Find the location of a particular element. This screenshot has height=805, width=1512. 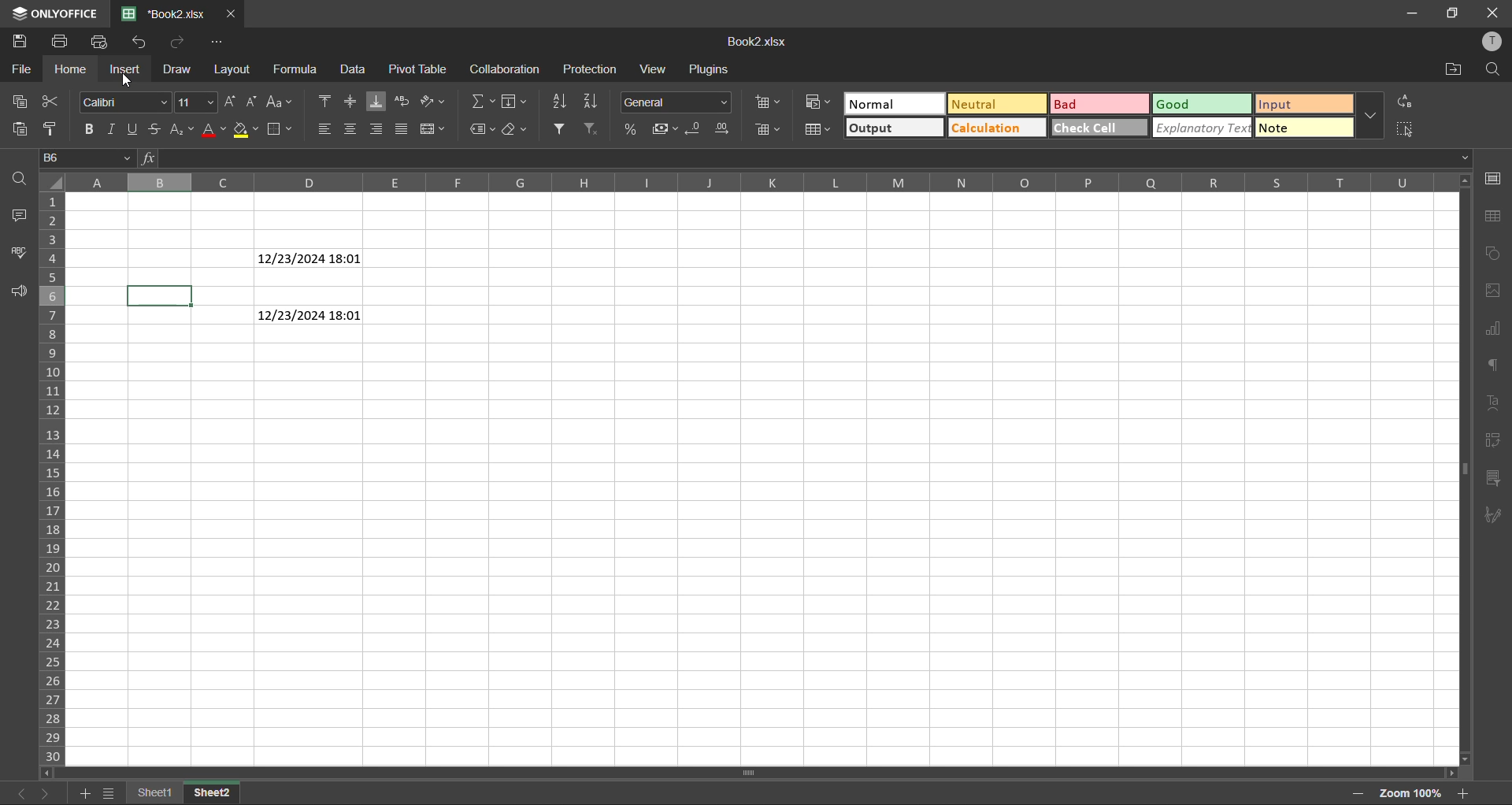

save is located at coordinates (21, 41).